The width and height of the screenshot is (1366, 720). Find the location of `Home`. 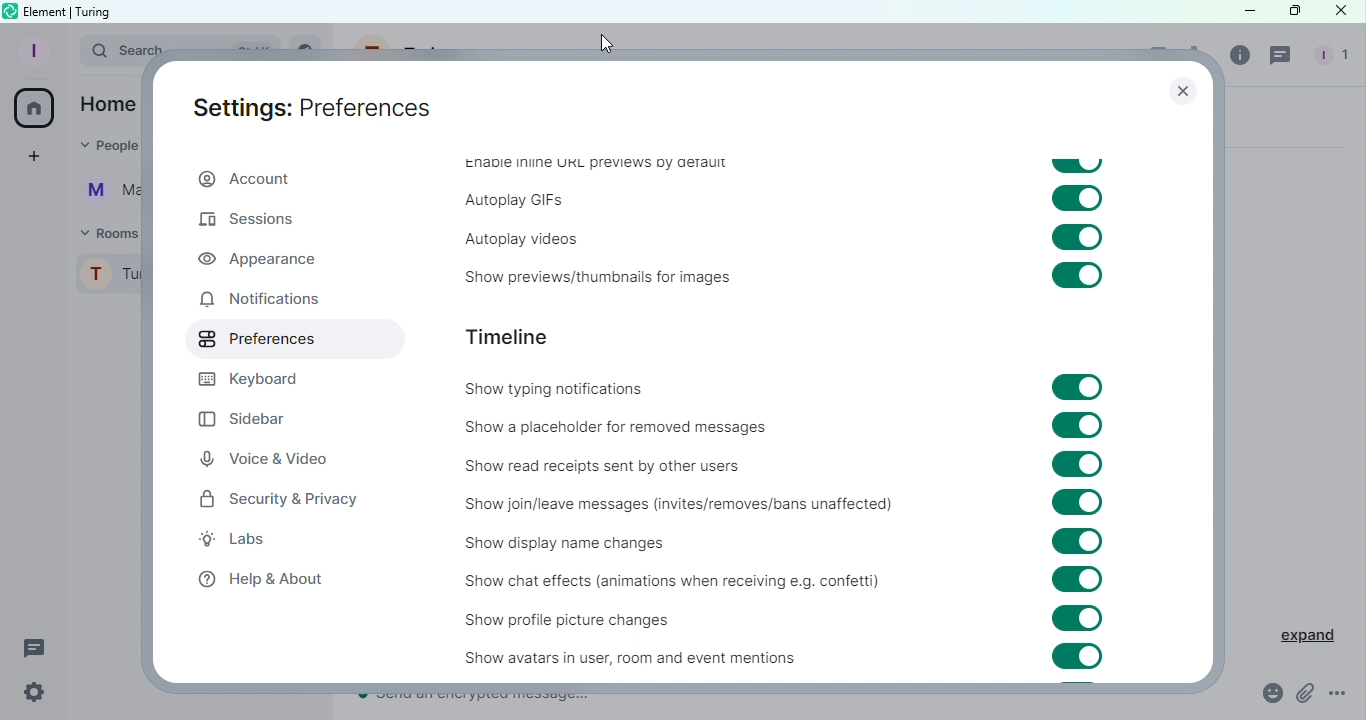

Home is located at coordinates (36, 108).